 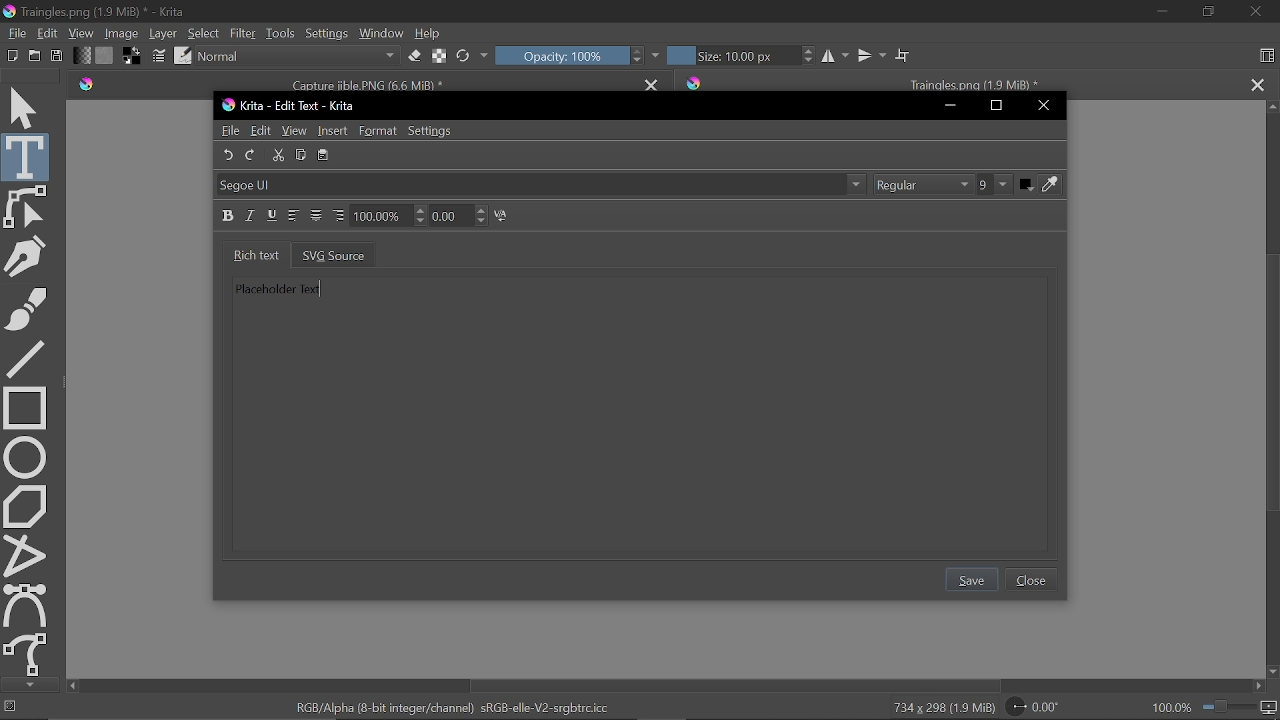 What do you see at coordinates (380, 33) in the screenshot?
I see `Window` at bounding box center [380, 33].